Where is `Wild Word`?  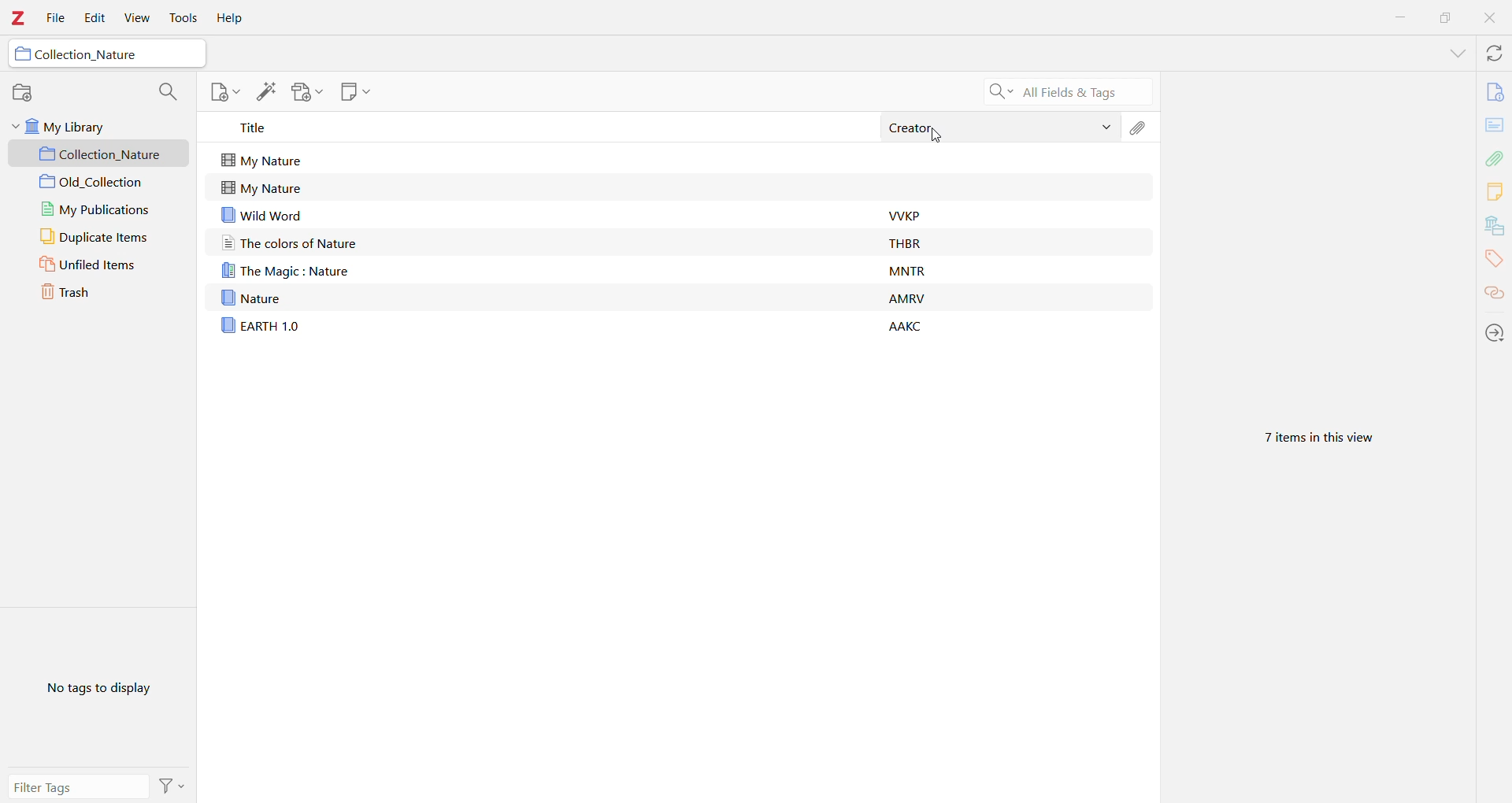
Wild Word is located at coordinates (344, 215).